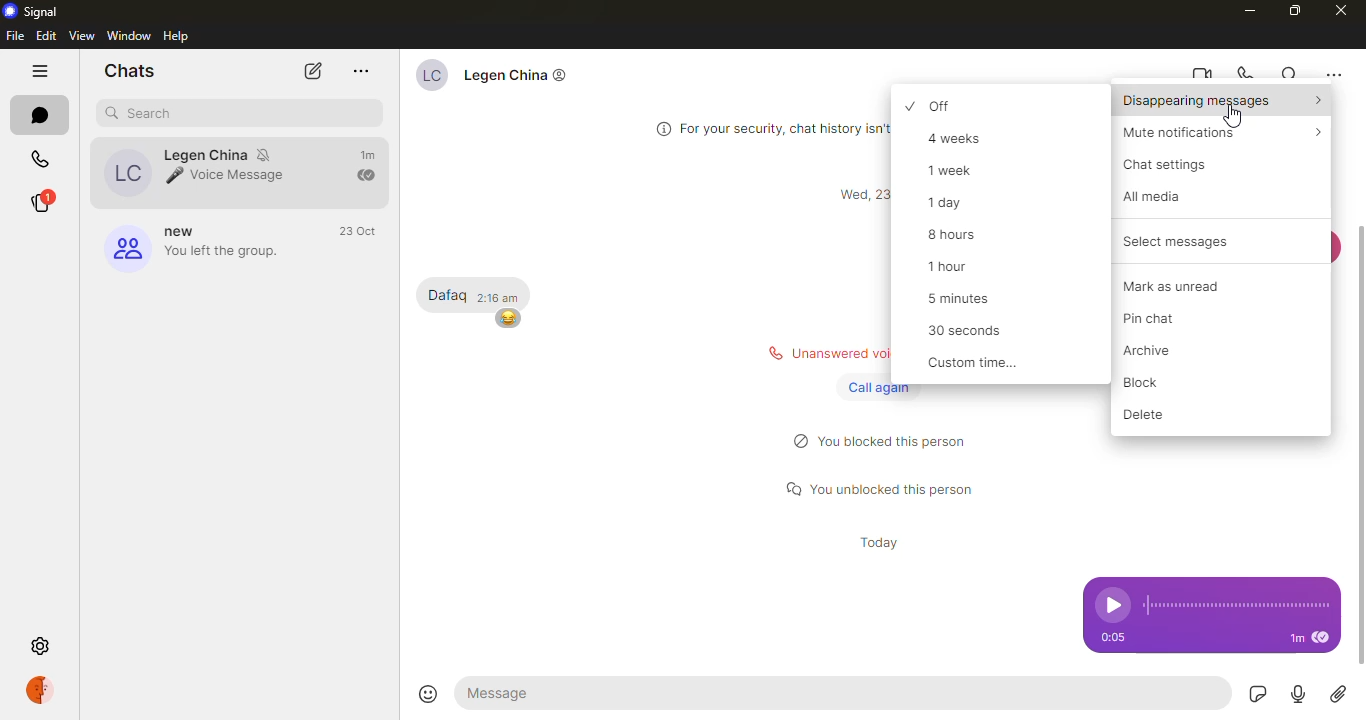 This screenshot has height=720, width=1366. I want to click on status message, so click(882, 487).